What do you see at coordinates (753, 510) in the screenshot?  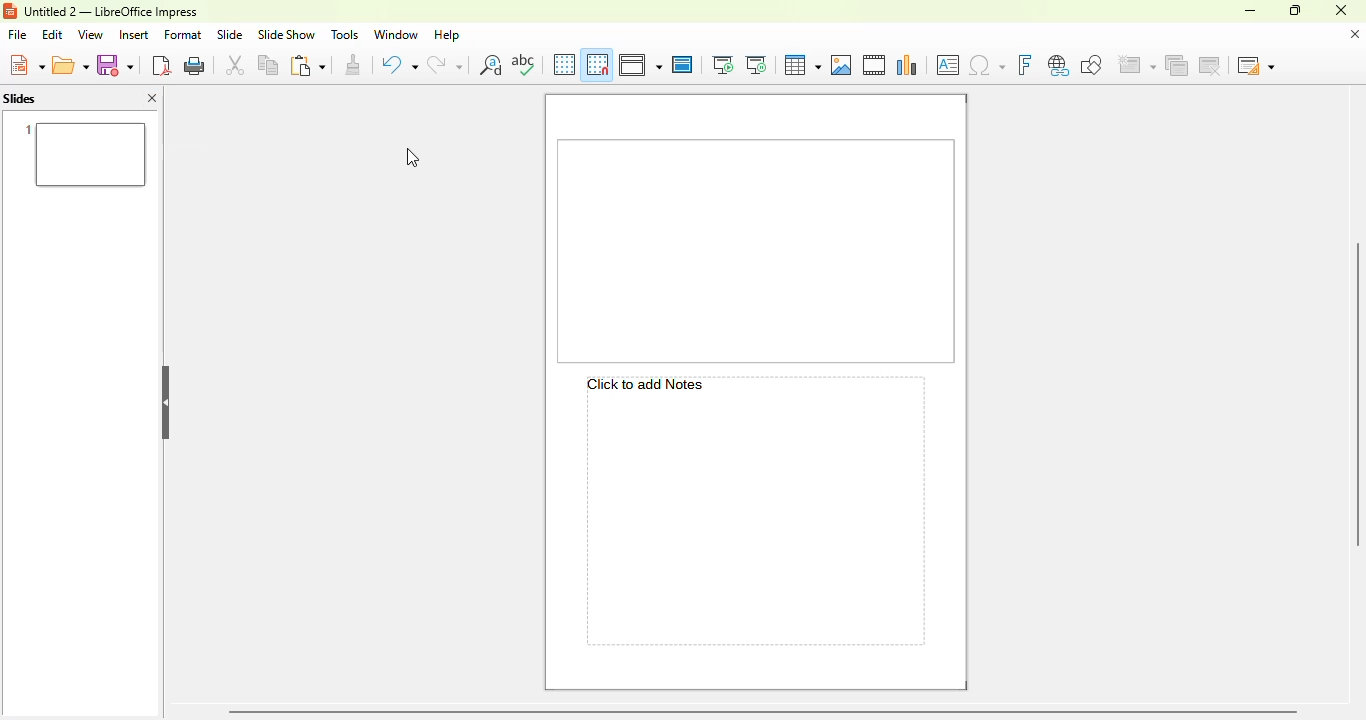 I see `click to add notes` at bounding box center [753, 510].